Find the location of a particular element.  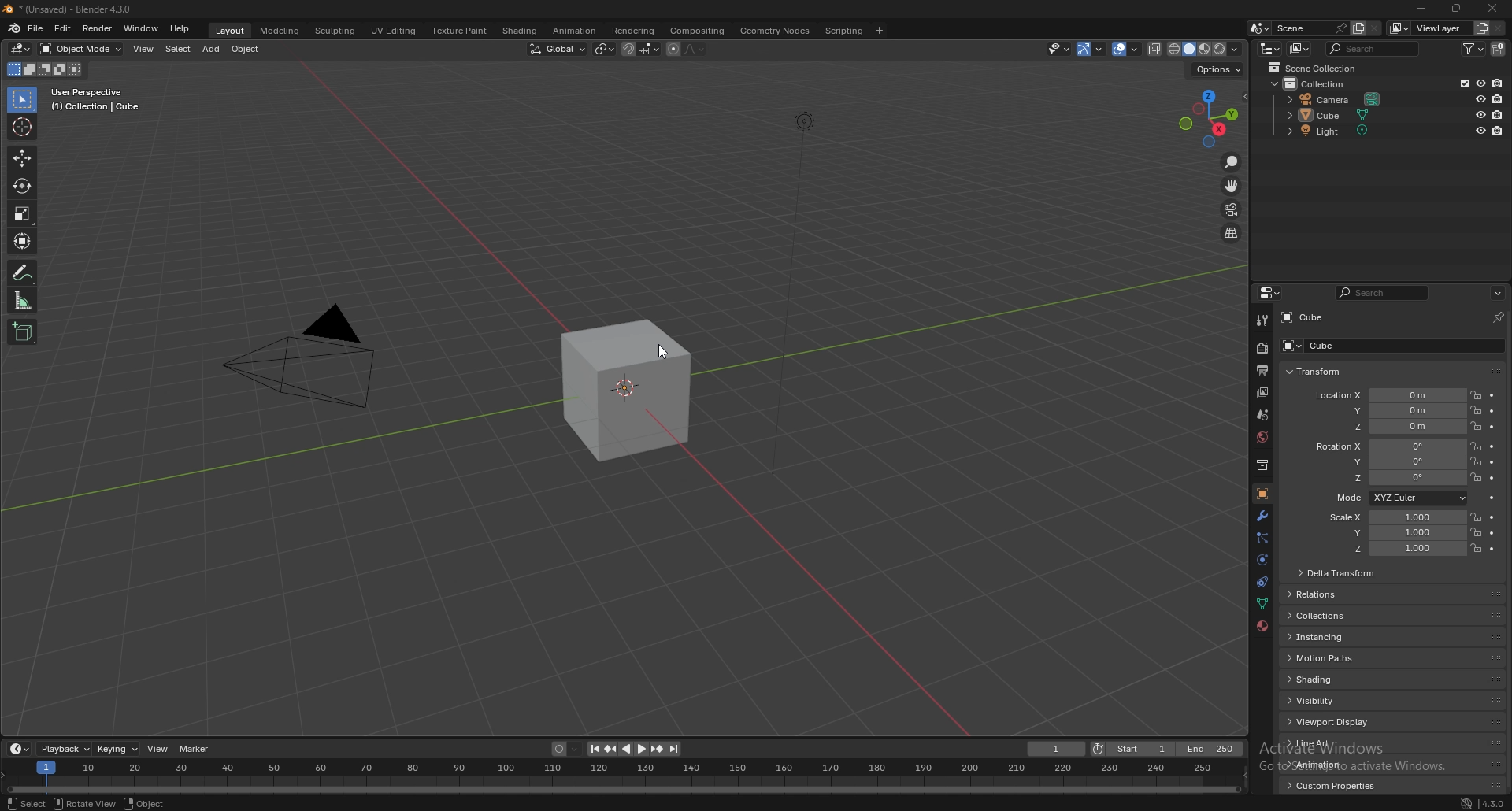

editor type is located at coordinates (20, 49).